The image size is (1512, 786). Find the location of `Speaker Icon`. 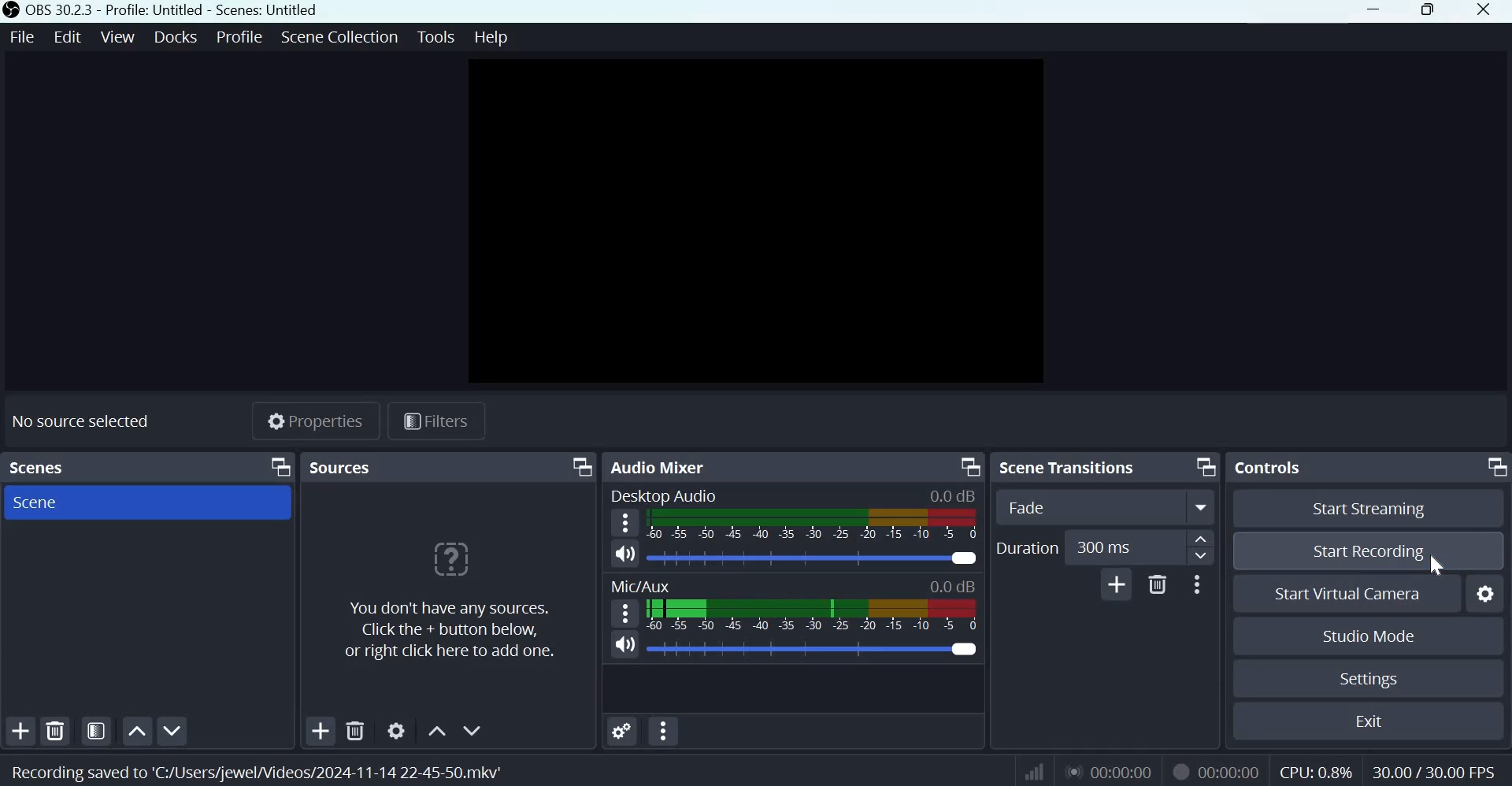

Speaker Icon is located at coordinates (626, 614).